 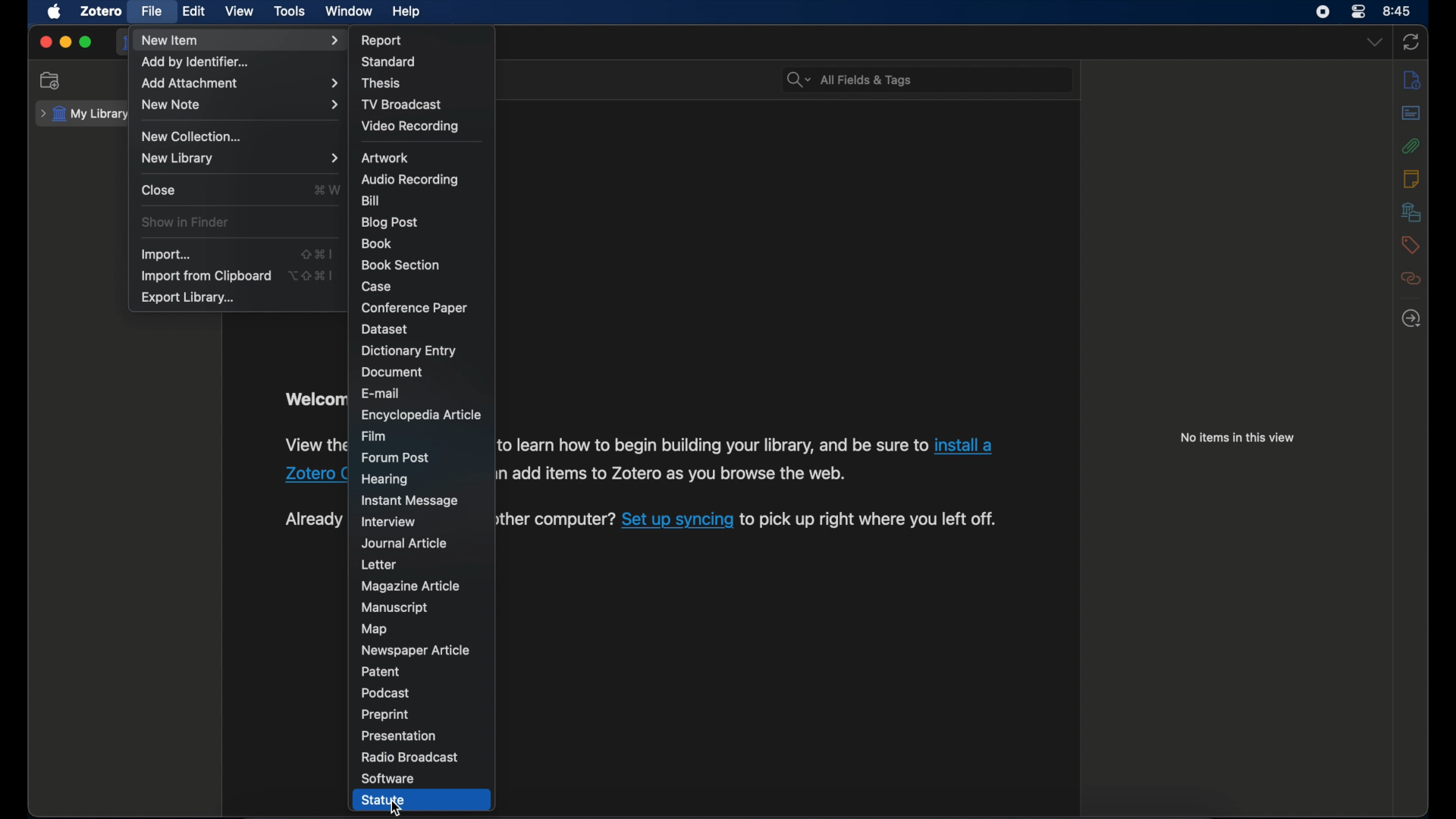 What do you see at coordinates (415, 649) in the screenshot?
I see `newspaper article` at bounding box center [415, 649].